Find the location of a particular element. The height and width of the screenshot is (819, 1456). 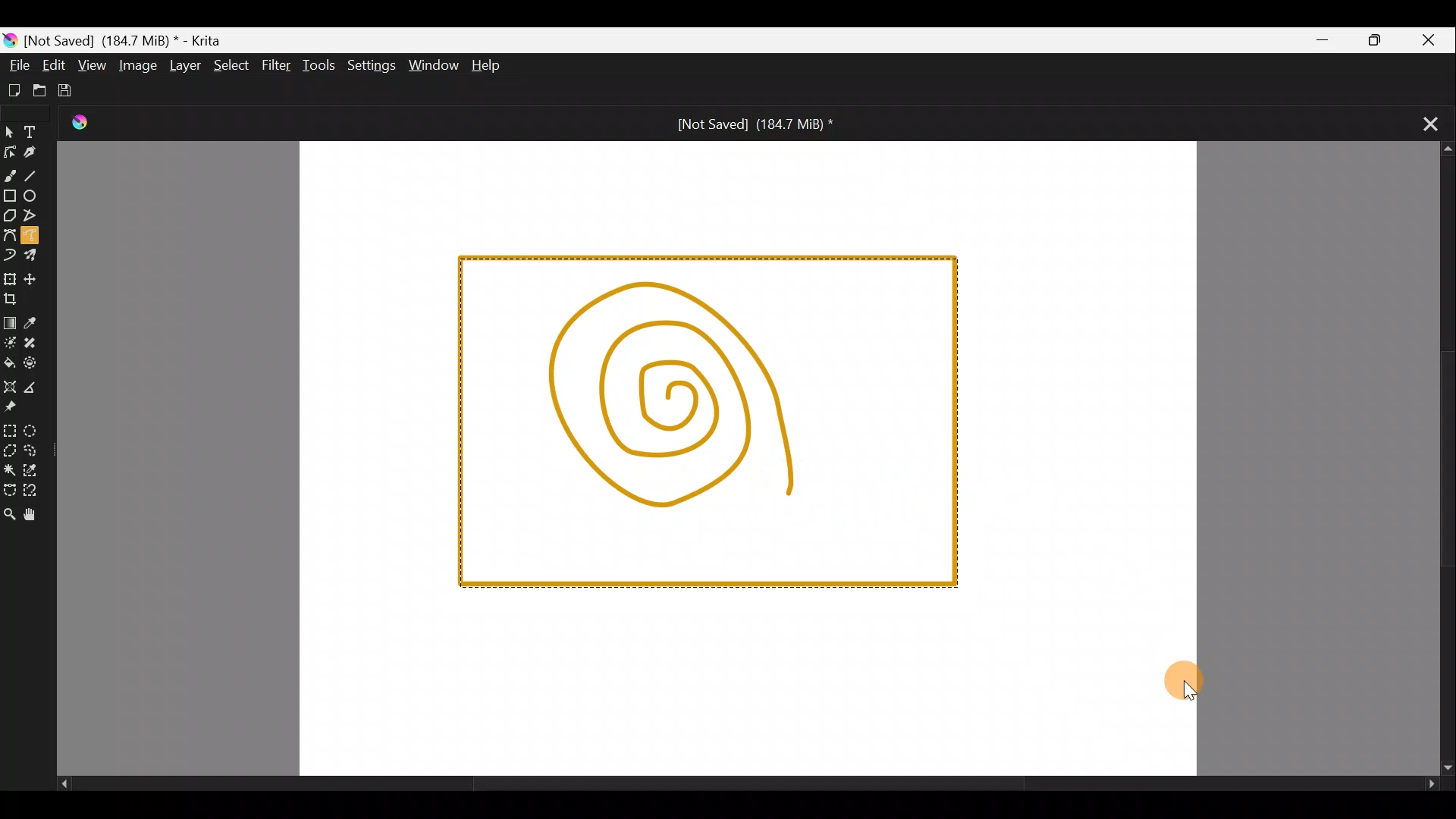

Dynamic brush tool is located at coordinates (10, 256).